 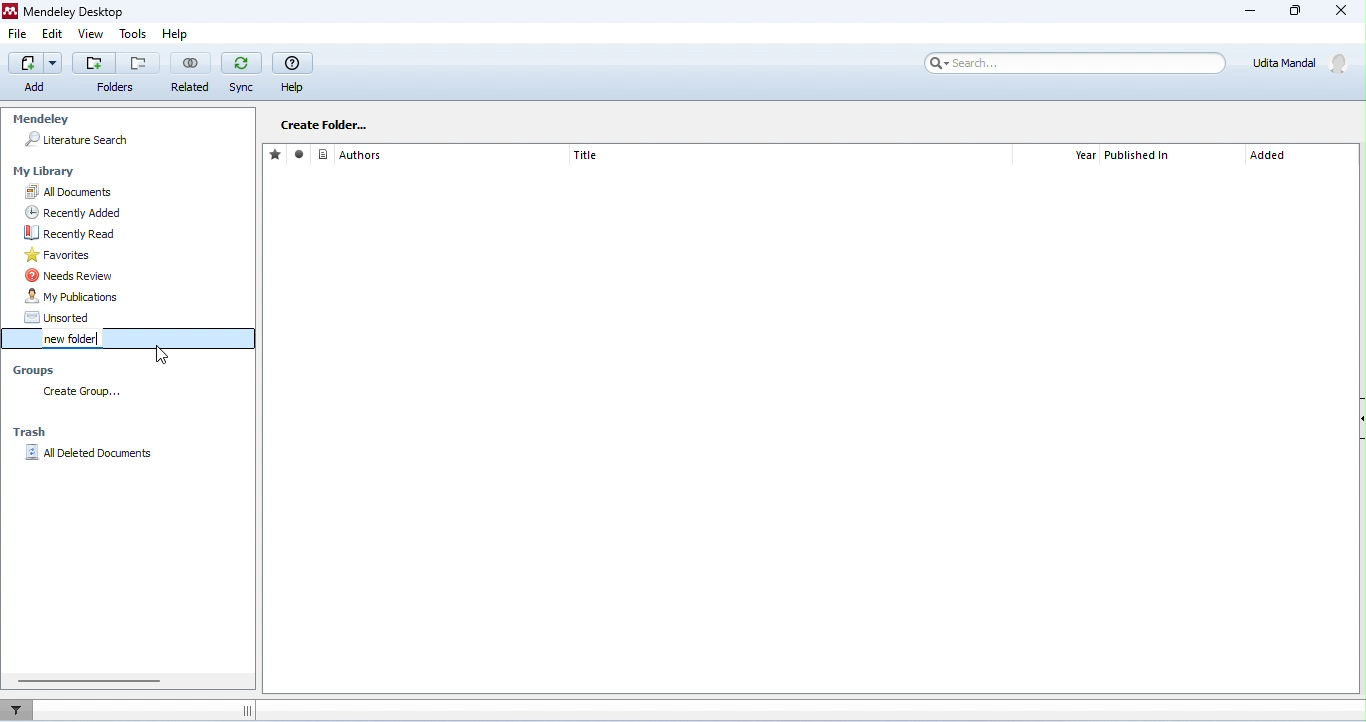 What do you see at coordinates (1072, 63) in the screenshot?
I see `search bar` at bounding box center [1072, 63].